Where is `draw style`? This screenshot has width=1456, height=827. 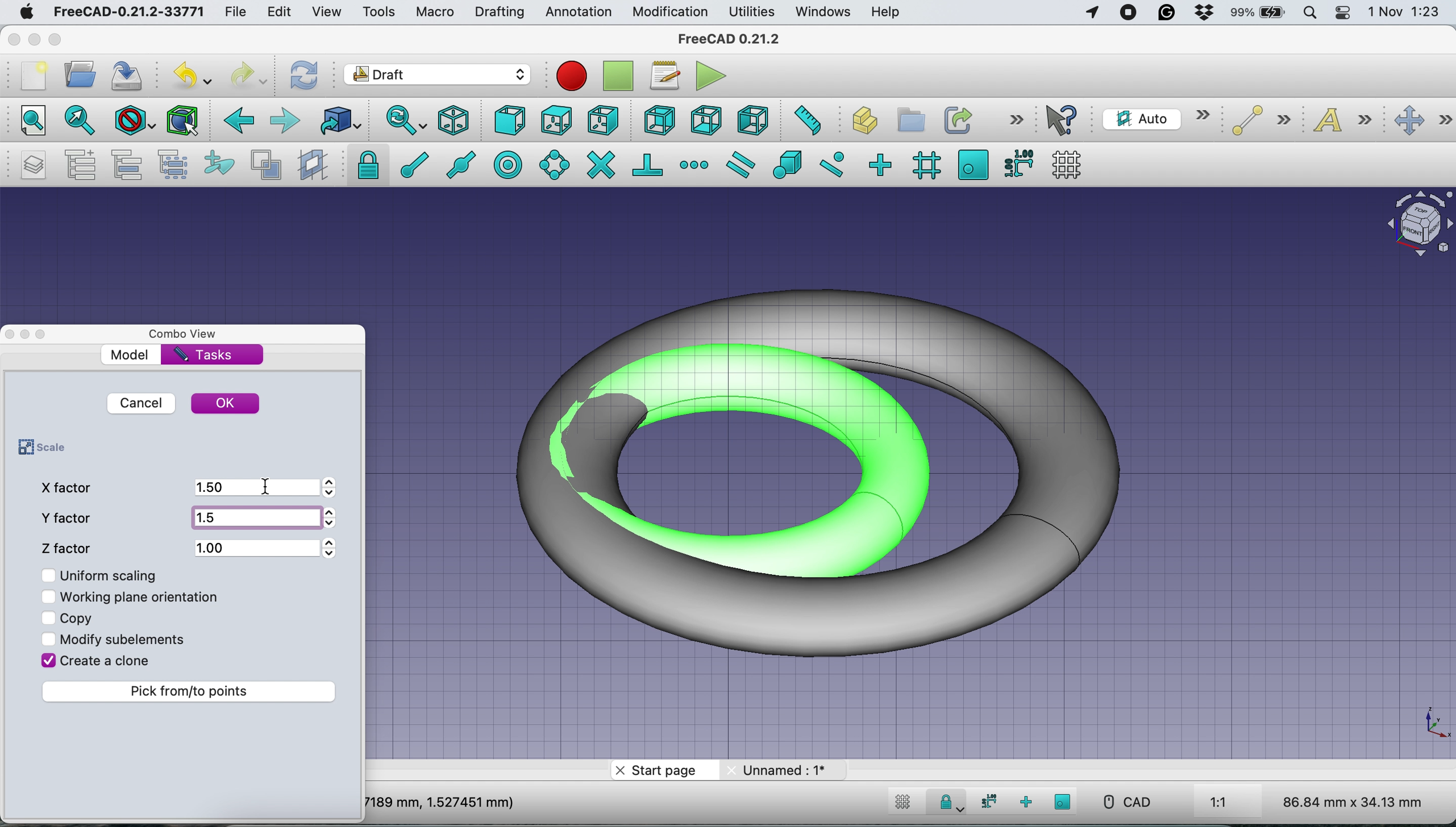
draw style is located at coordinates (132, 123).